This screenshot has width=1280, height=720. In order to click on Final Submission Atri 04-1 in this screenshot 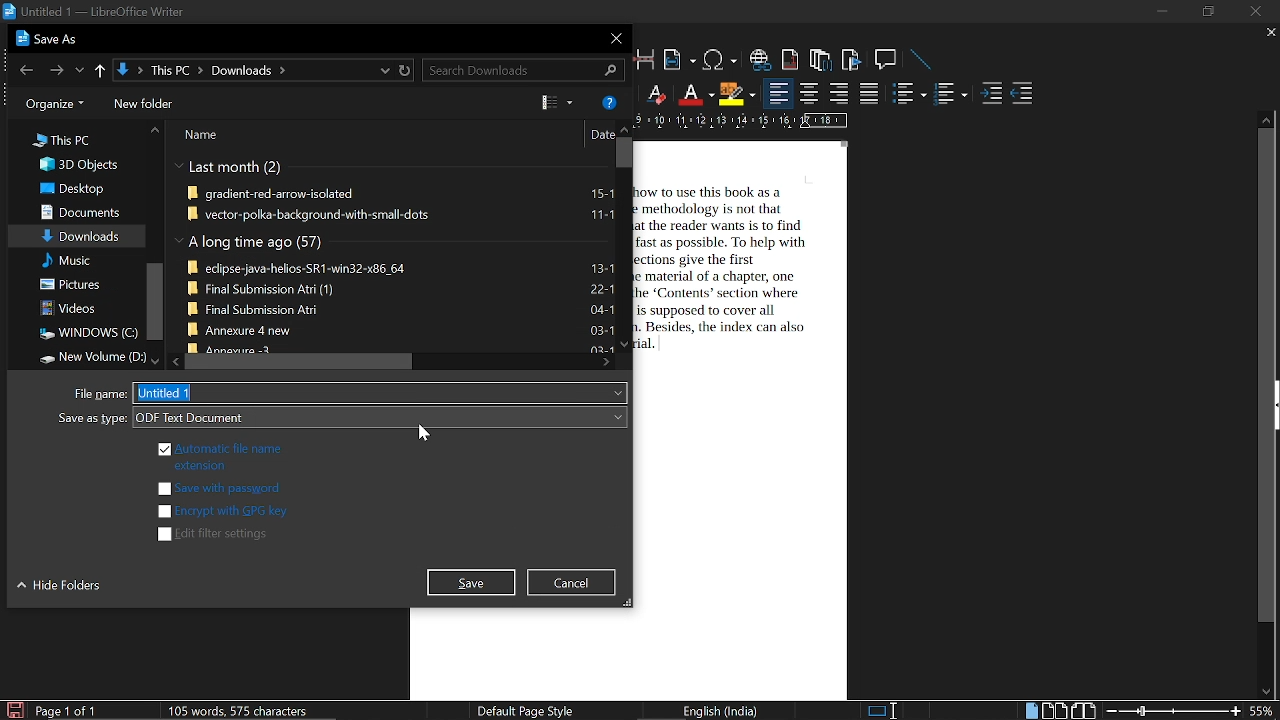, I will do `click(400, 308)`.